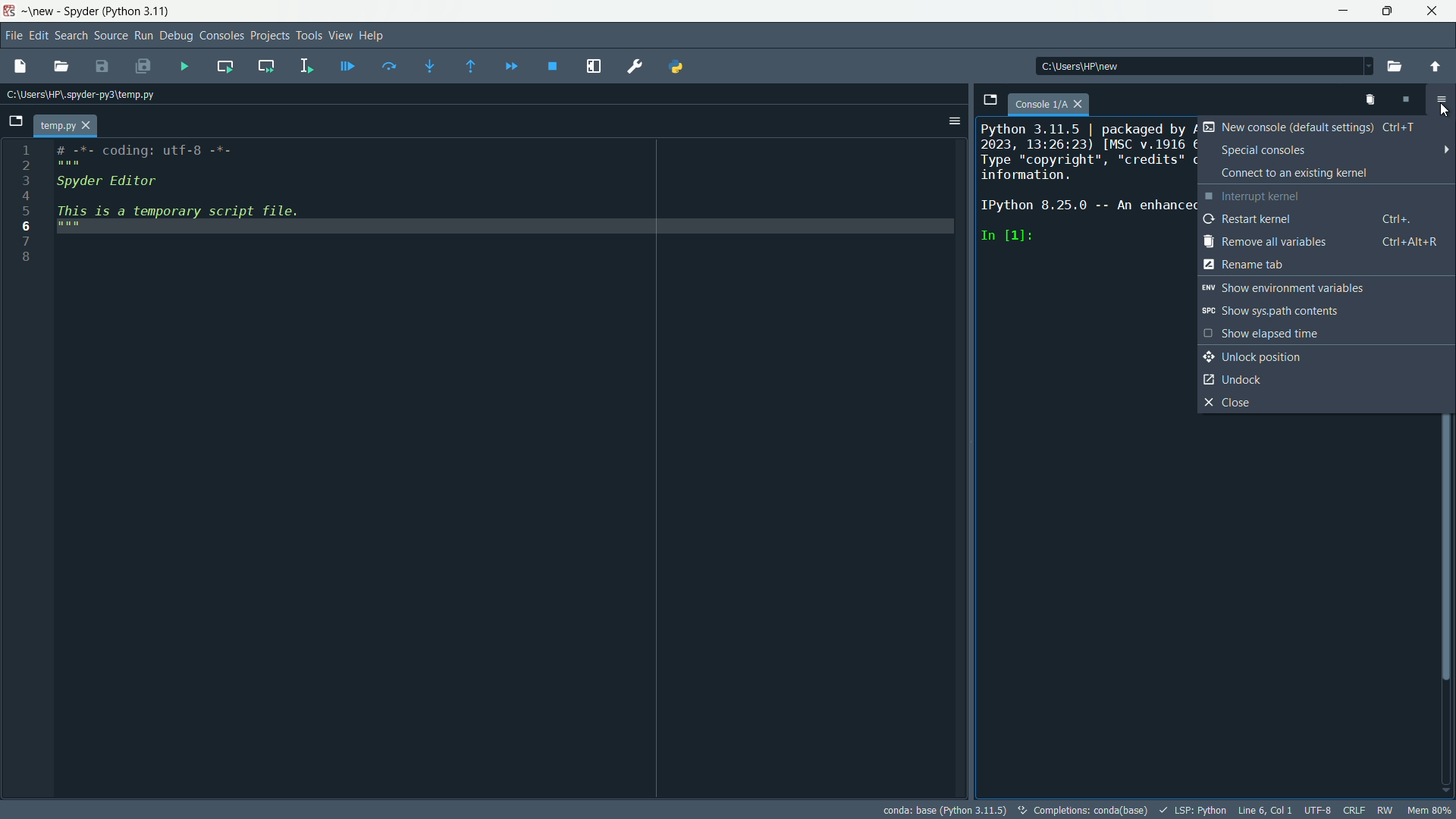 The image size is (1456, 819). I want to click on view menu, so click(340, 35).